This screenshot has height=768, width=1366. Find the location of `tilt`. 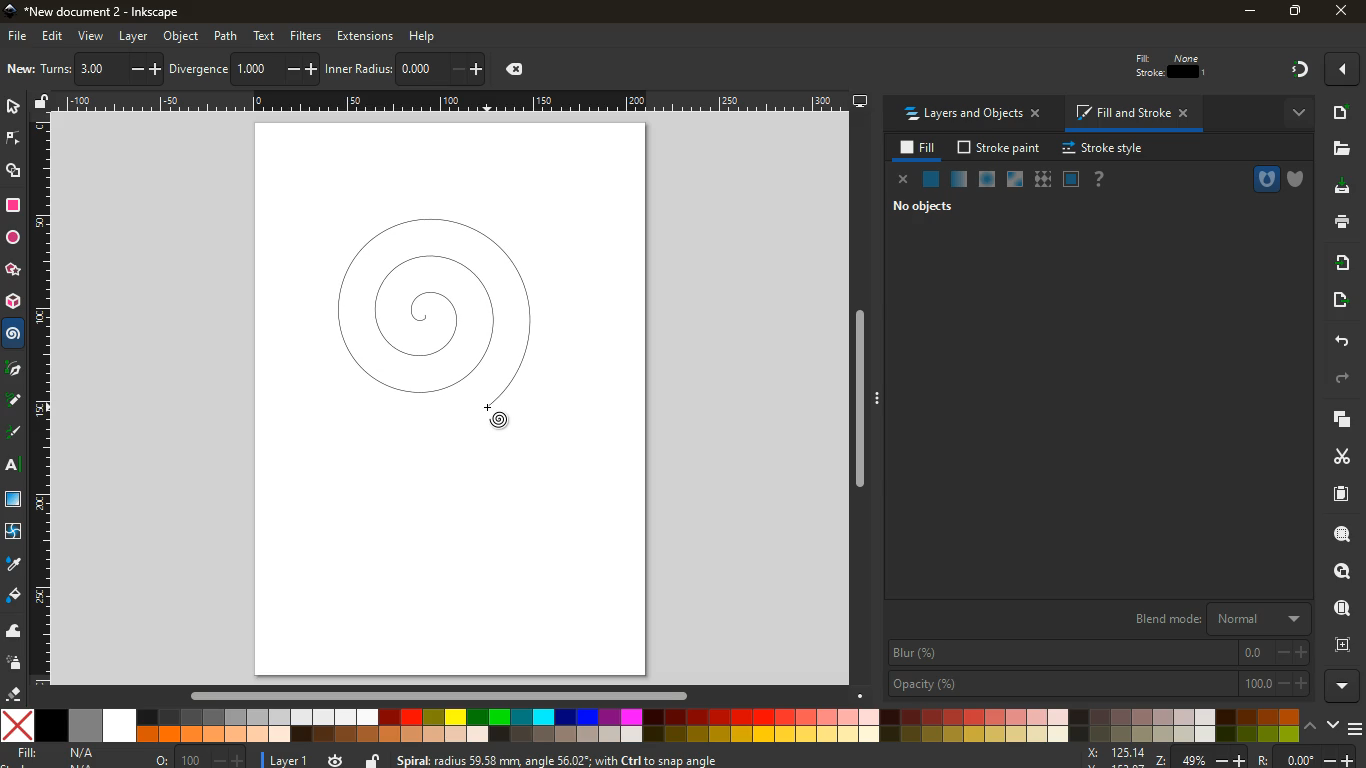

tilt is located at coordinates (245, 69).